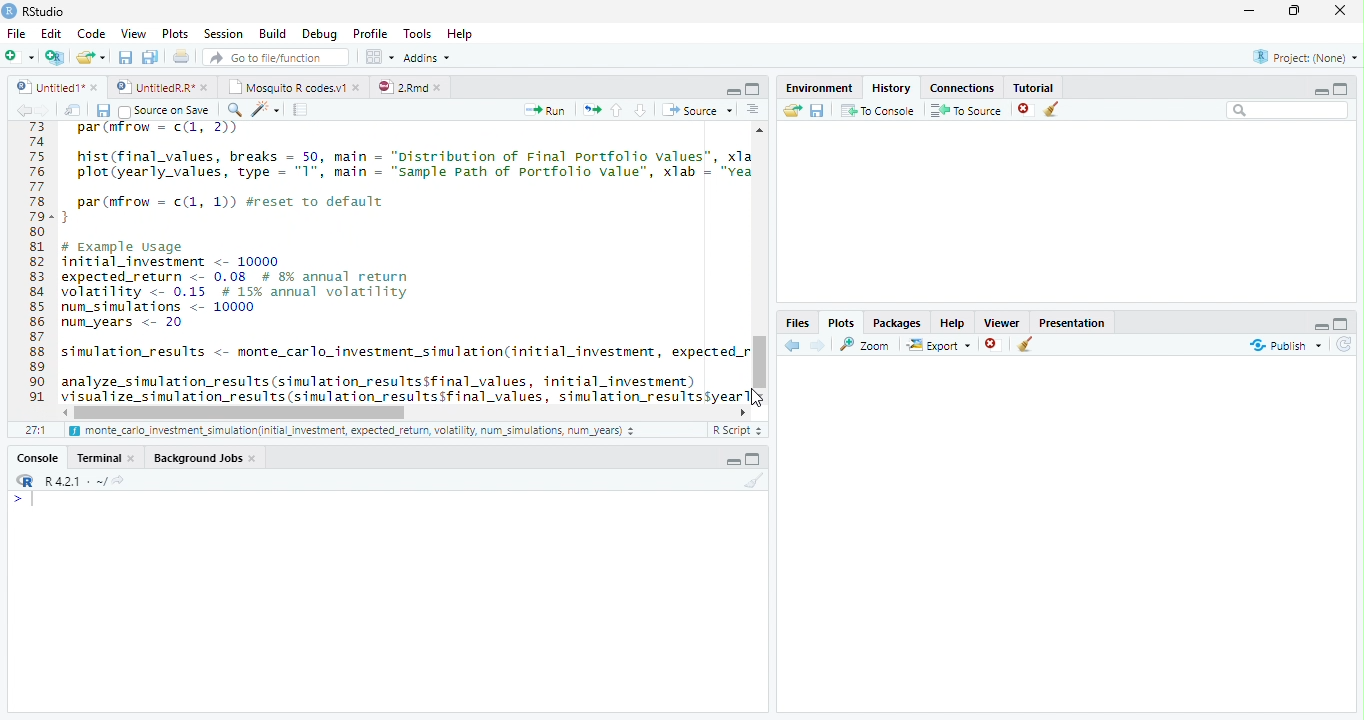 This screenshot has width=1364, height=720. I want to click on Help, so click(952, 322).